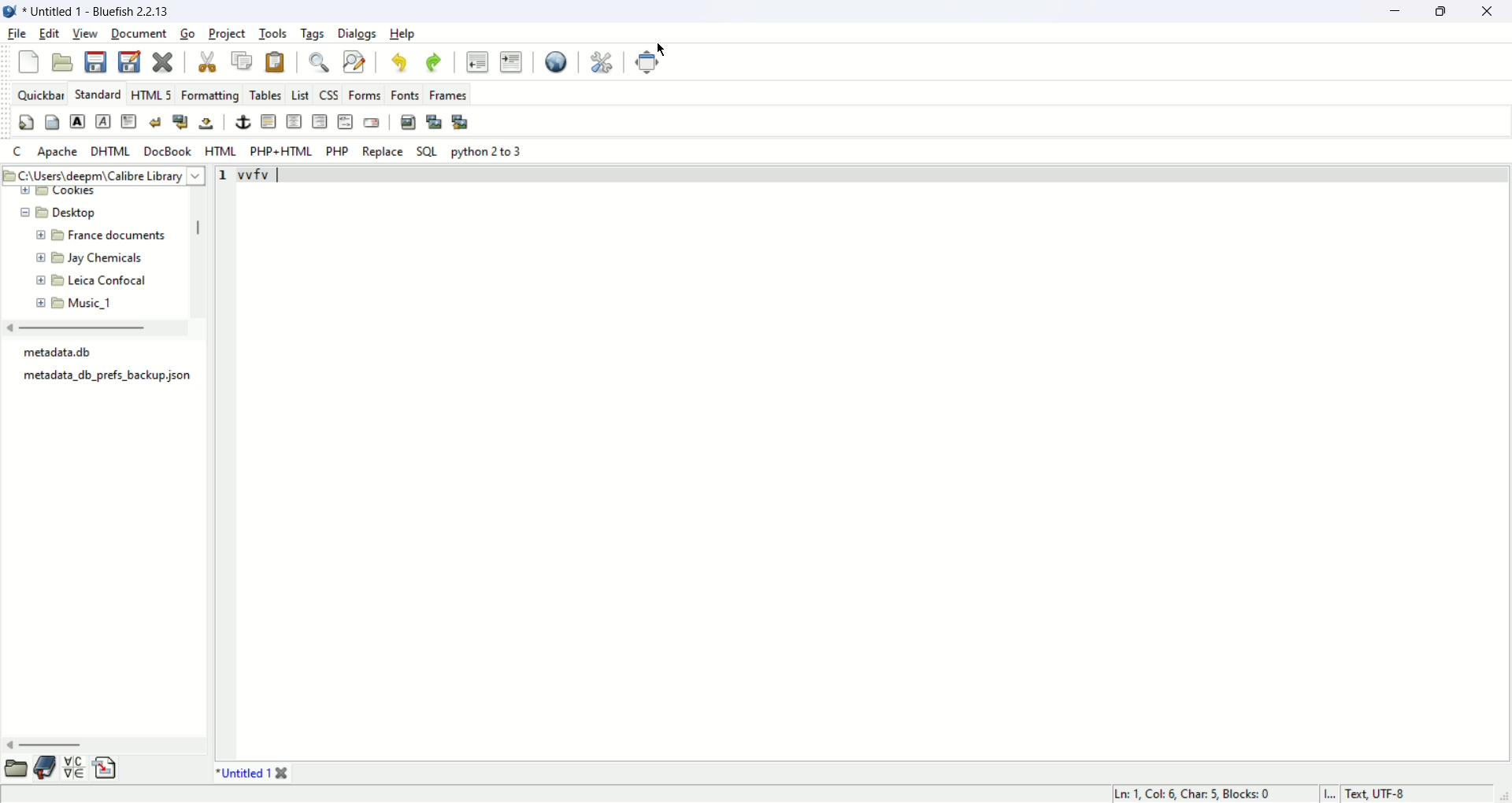 The height and width of the screenshot is (803, 1512). What do you see at coordinates (318, 63) in the screenshot?
I see `show find bar` at bounding box center [318, 63].